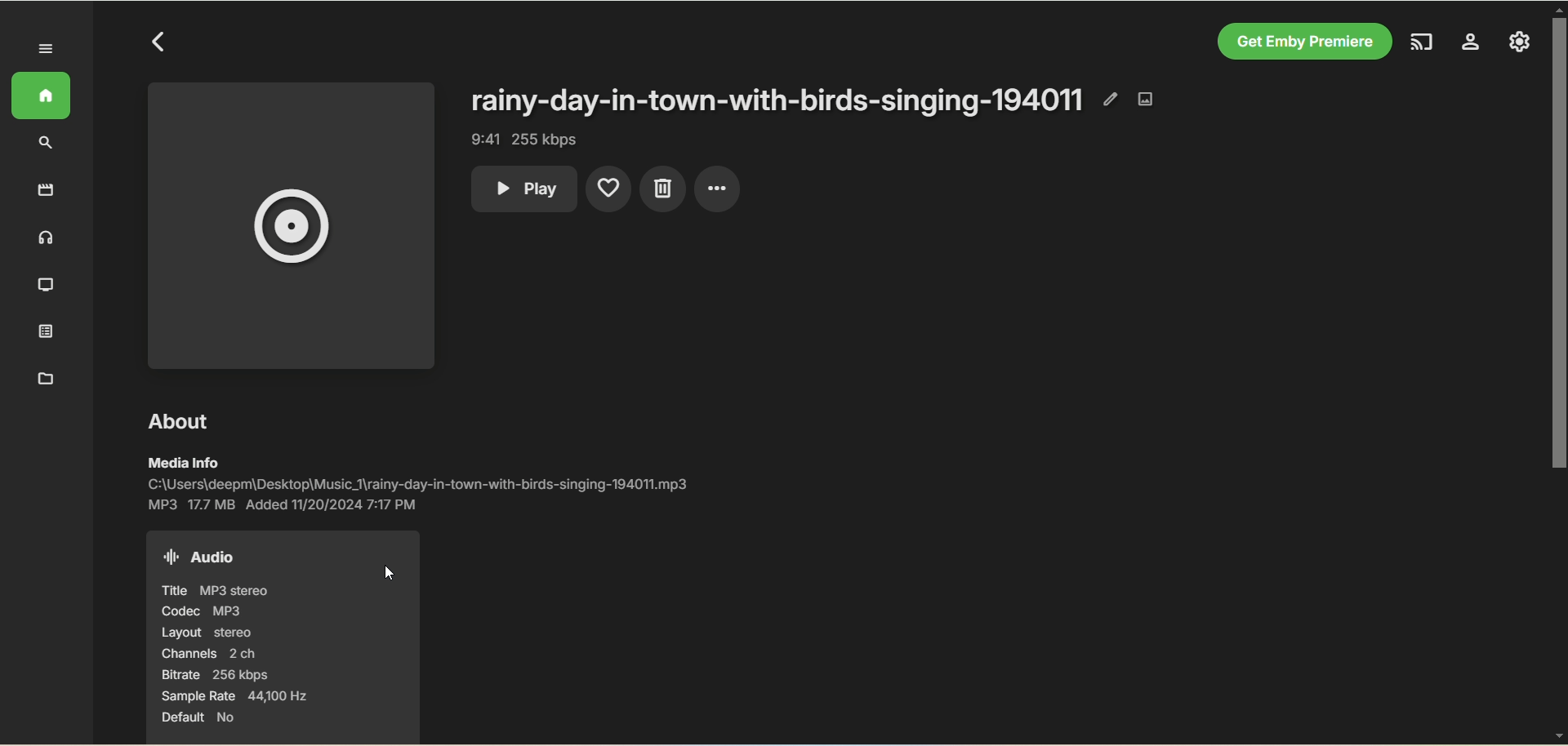  Describe the element at coordinates (212, 654) in the screenshot. I see `channels 2ch` at that location.